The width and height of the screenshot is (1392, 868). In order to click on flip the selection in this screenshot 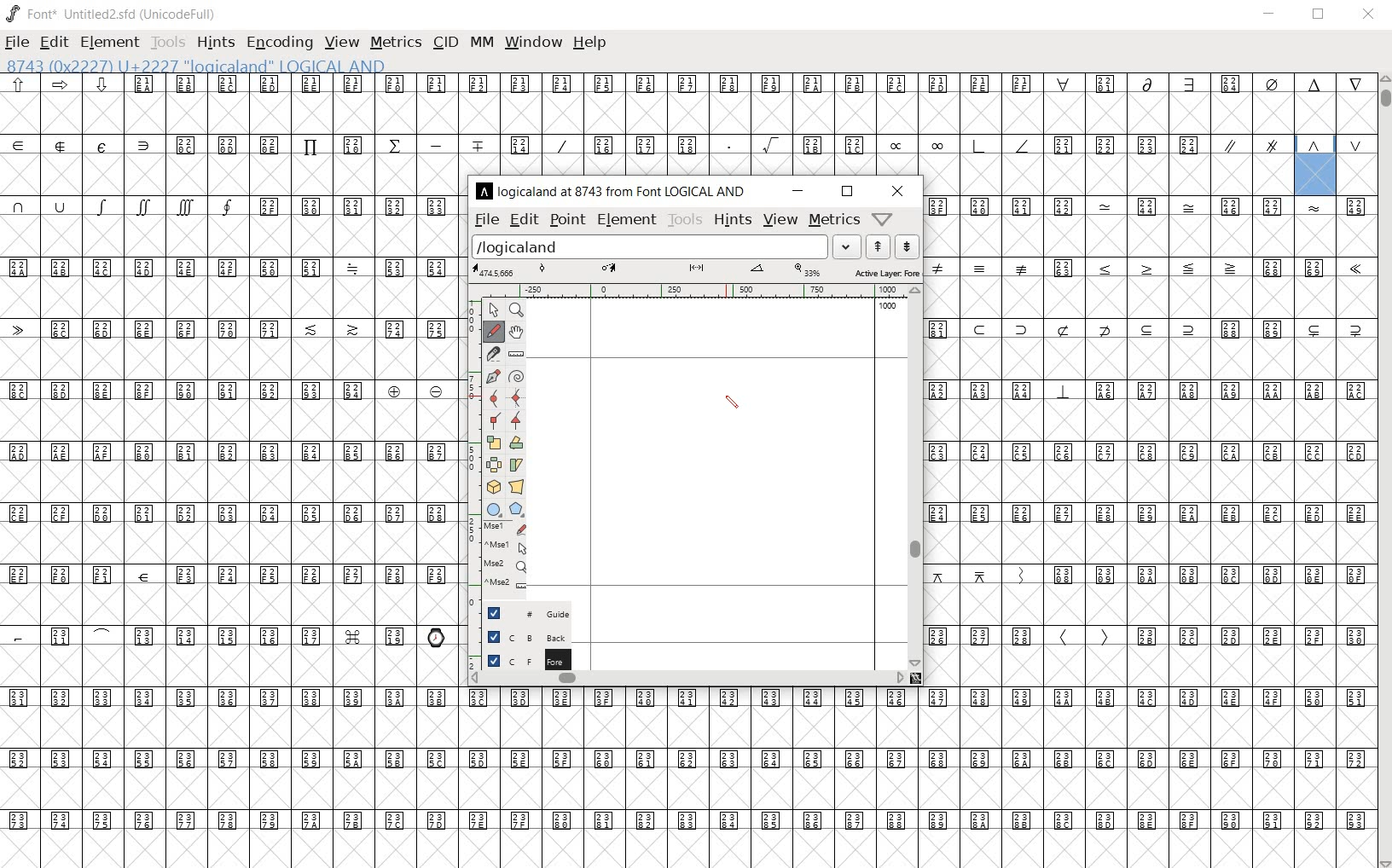, I will do `click(494, 465)`.